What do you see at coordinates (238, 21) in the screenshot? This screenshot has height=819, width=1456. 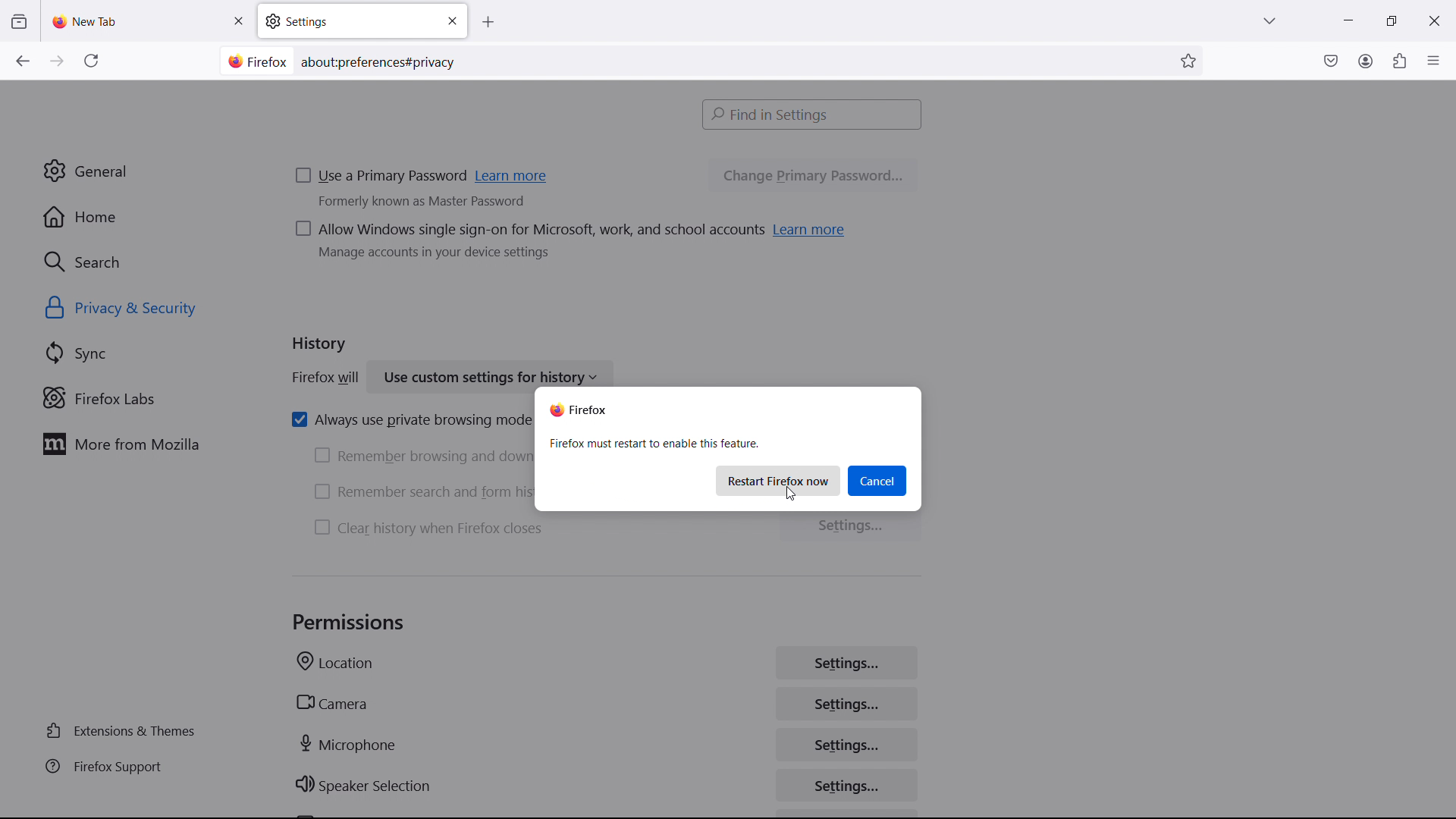 I see `close tab` at bounding box center [238, 21].